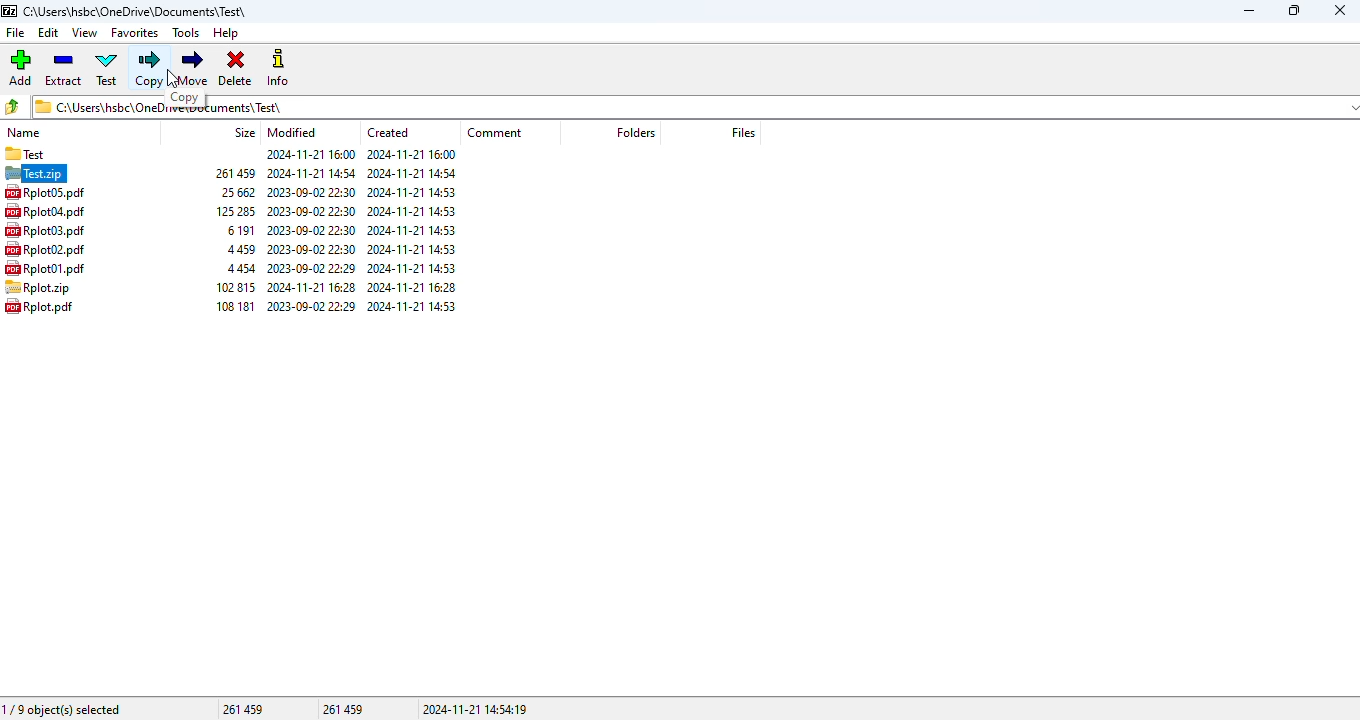 The image size is (1360, 720). I want to click on file name, so click(44, 267).